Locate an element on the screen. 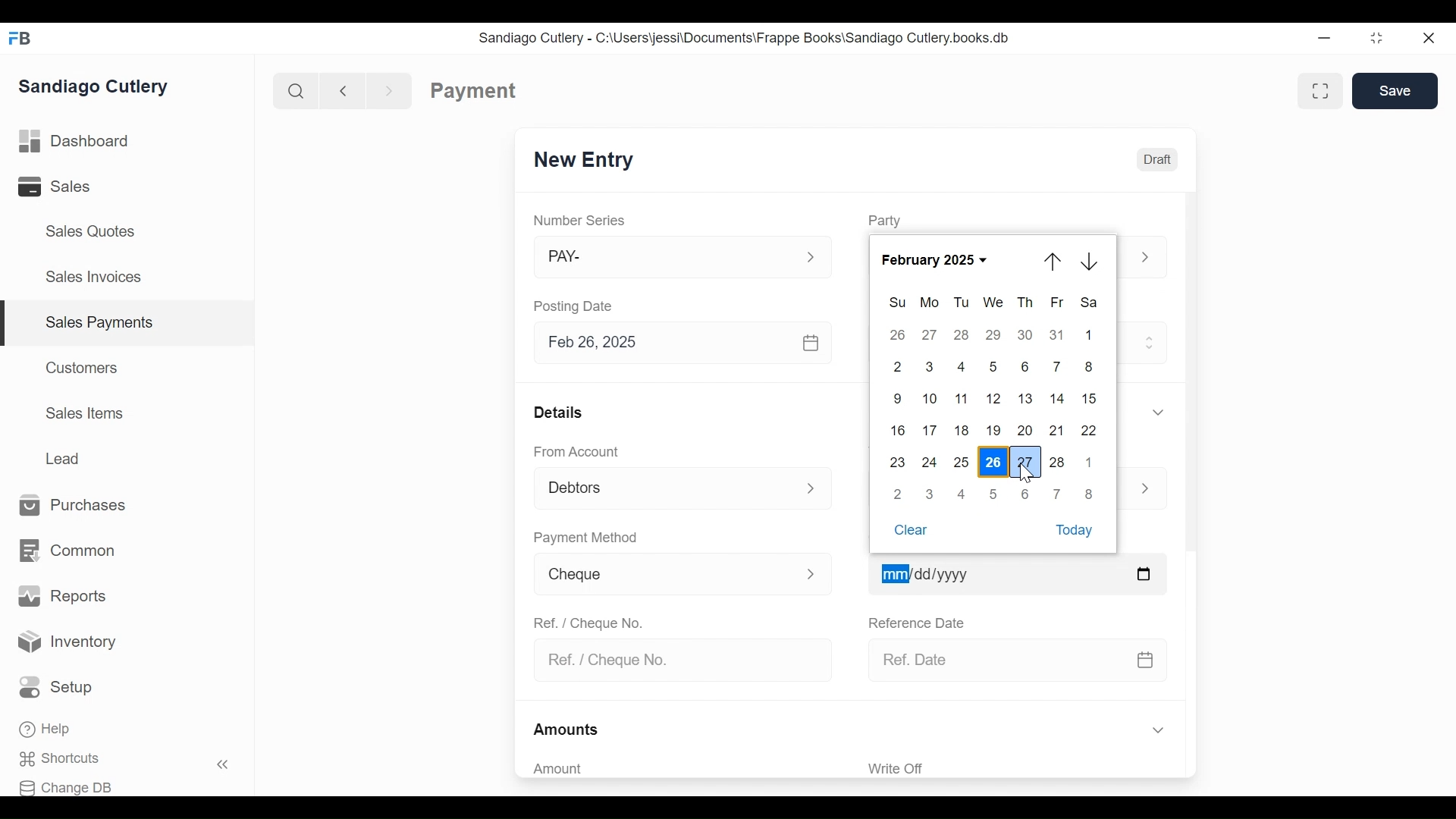 This screenshot has width=1456, height=819. Navigate forward is located at coordinates (390, 89).